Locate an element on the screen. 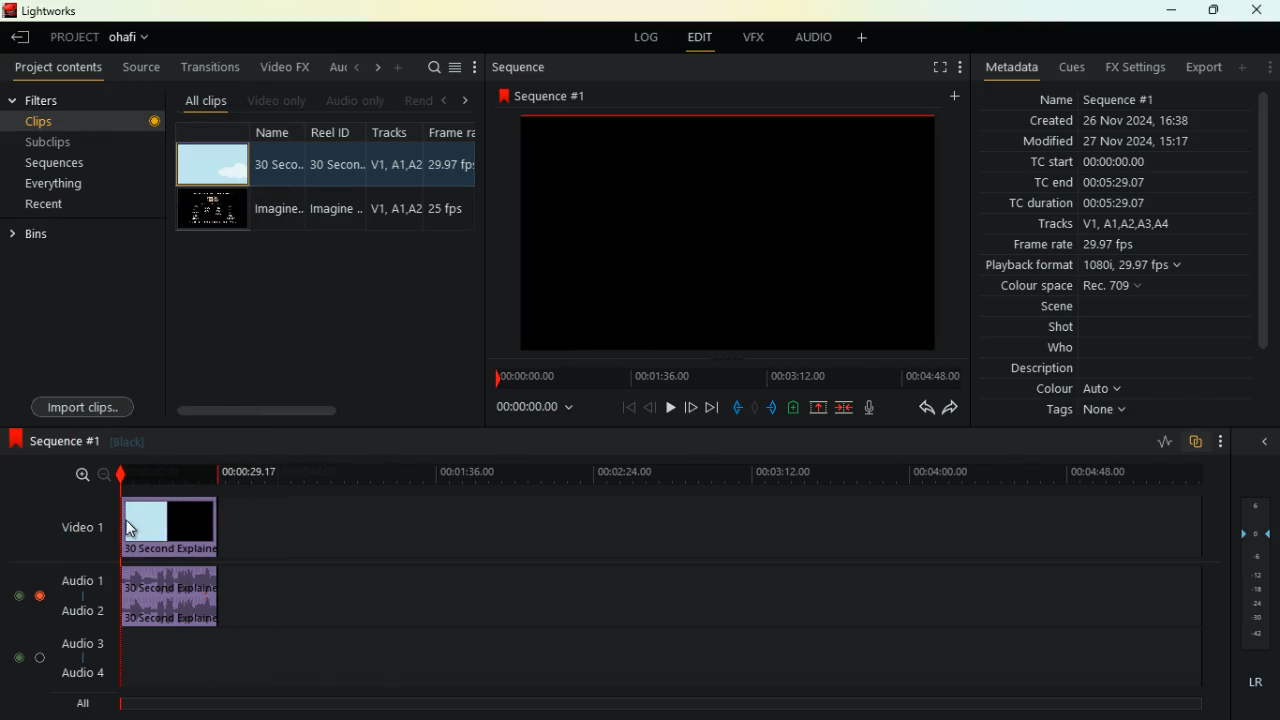 The width and height of the screenshot is (1280, 720). overlap is located at coordinates (1194, 442).